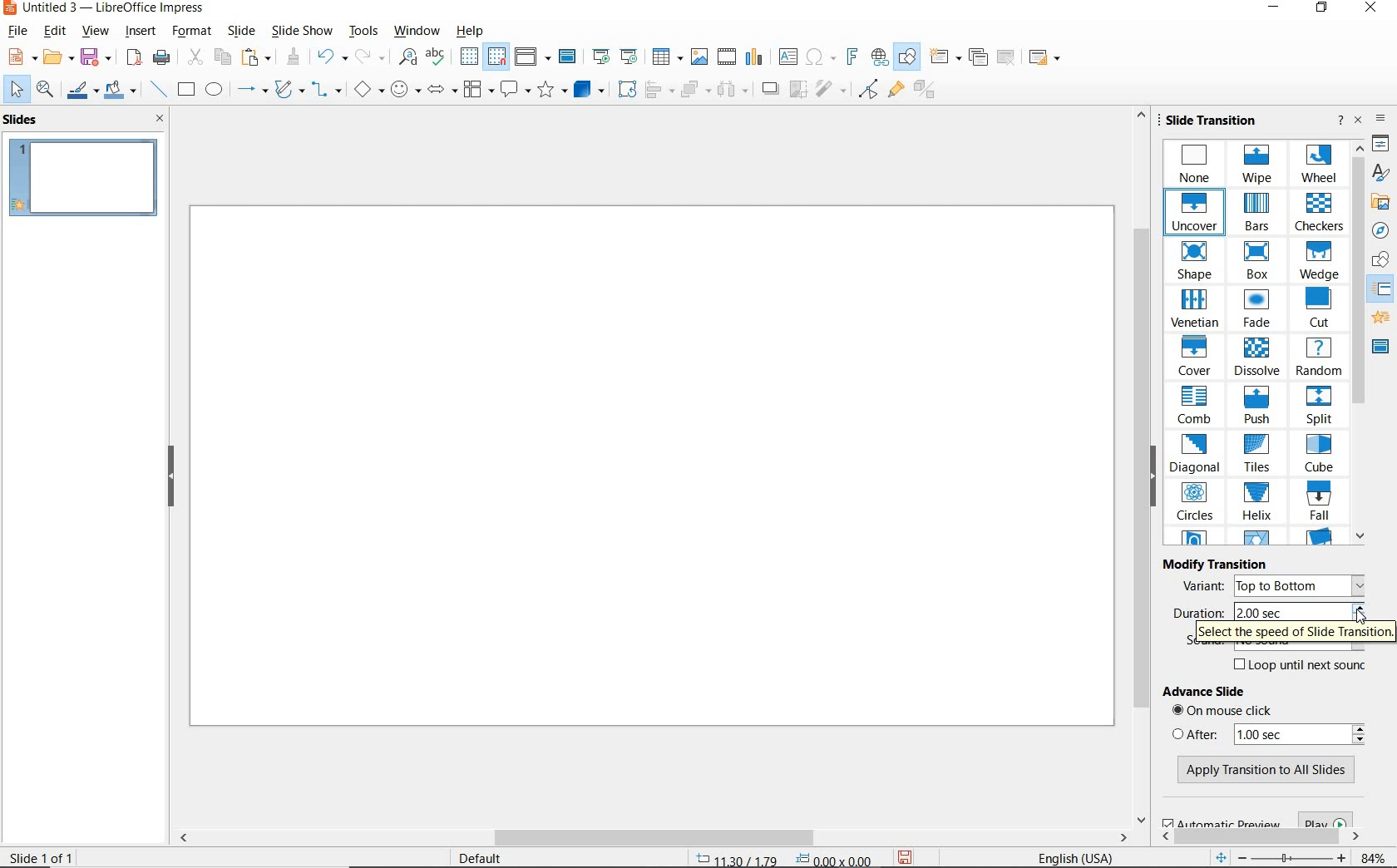 The width and height of the screenshot is (1397, 868). What do you see at coordinates (898, 91) in the screenshot?
I see `SHOW GLUE POINT FUNCTIONS` at bounding box center [898, 91].